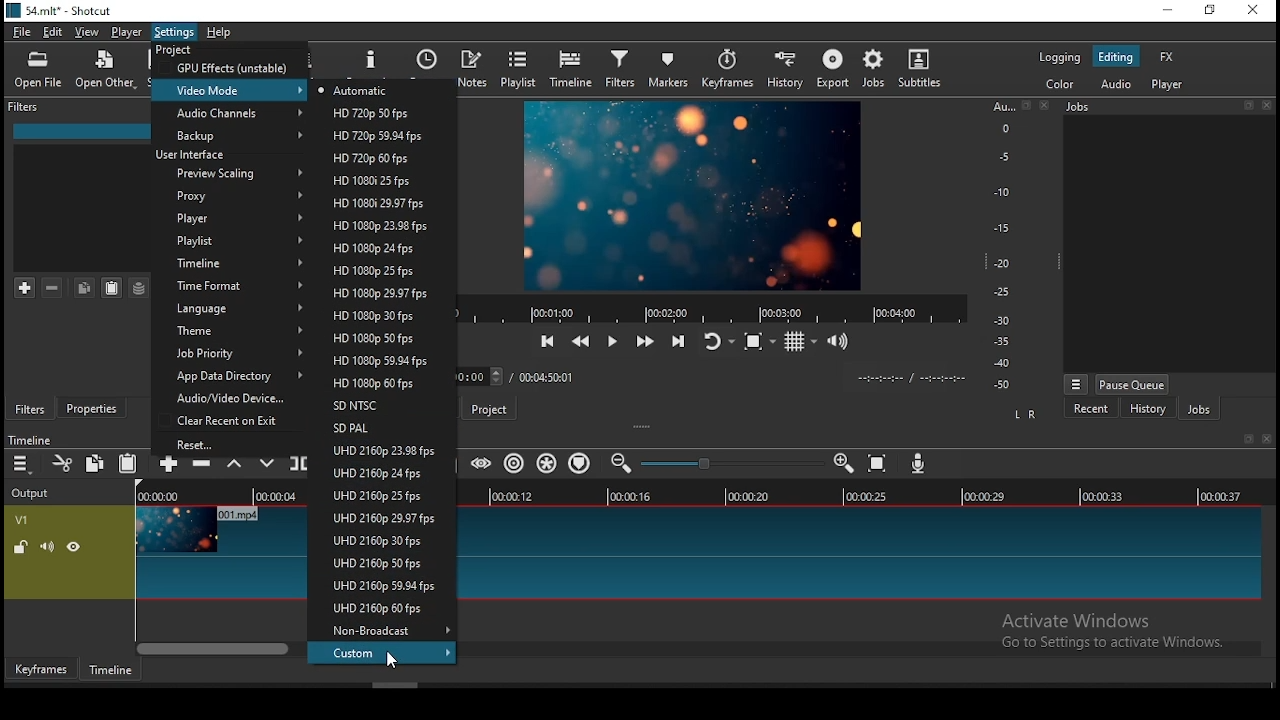  What do you see at coordinates (271, 497) in the screenshot?
I see `00:00:04` at bounding box center [271, 497].